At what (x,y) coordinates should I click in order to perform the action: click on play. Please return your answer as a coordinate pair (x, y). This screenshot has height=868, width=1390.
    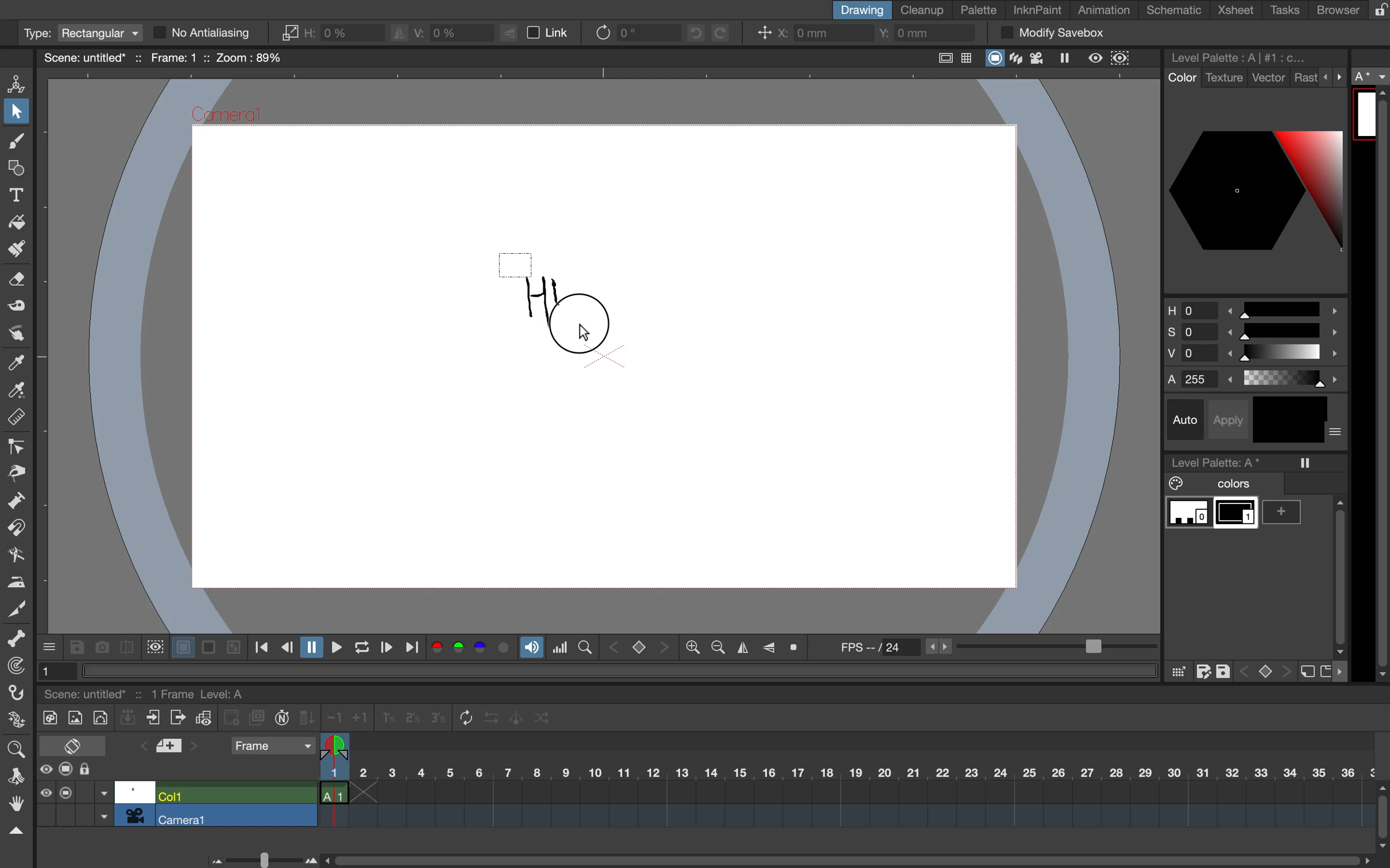
    Looking at the image, I should click on (333, 647).